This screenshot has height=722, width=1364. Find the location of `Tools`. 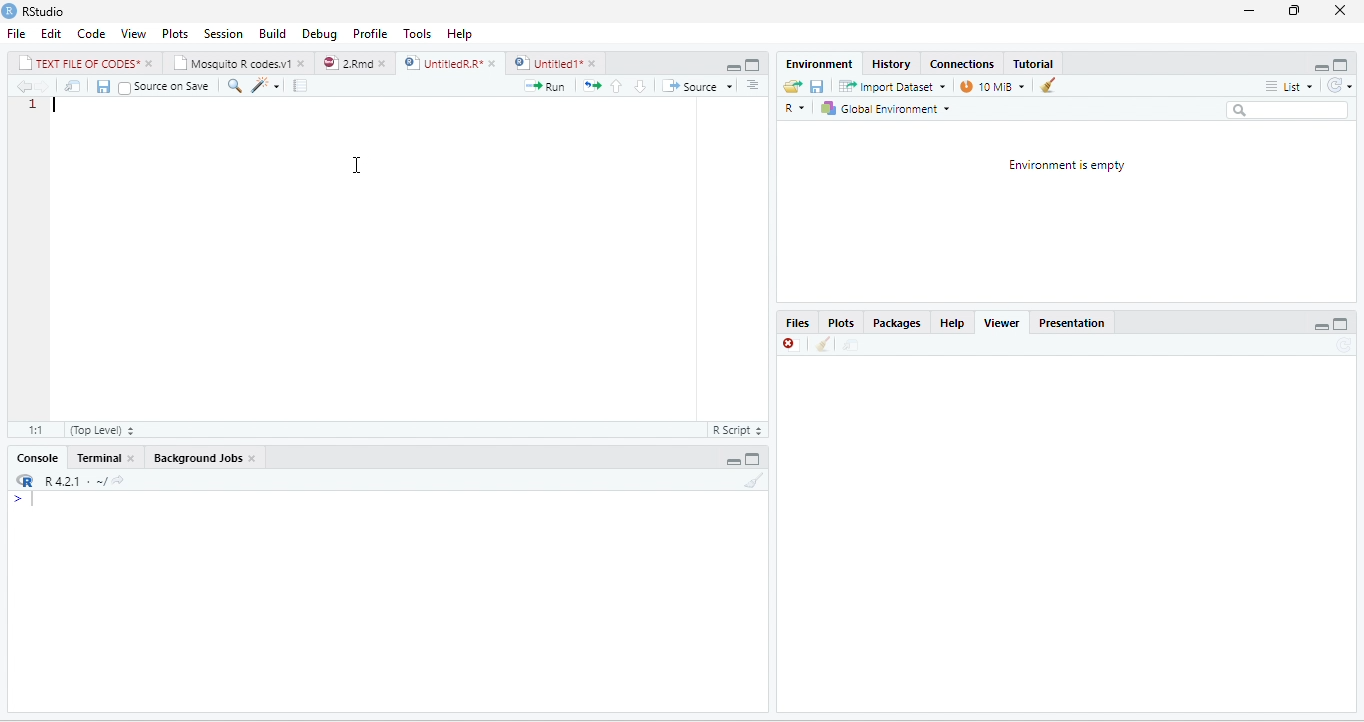

Tools is located at coordinates (418, 32).